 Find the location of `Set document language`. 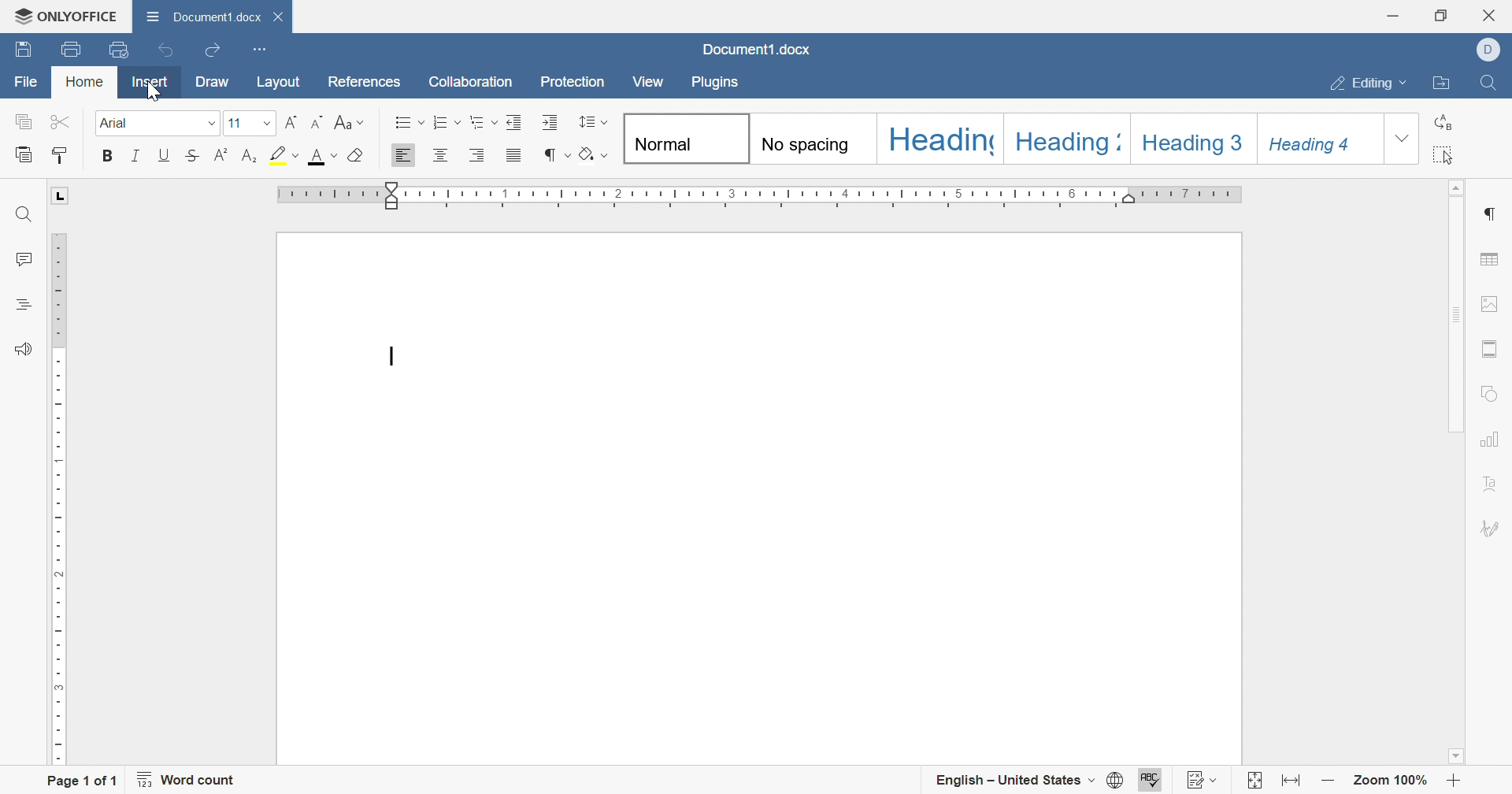

Set document language is located at coordinates (1116, 779).